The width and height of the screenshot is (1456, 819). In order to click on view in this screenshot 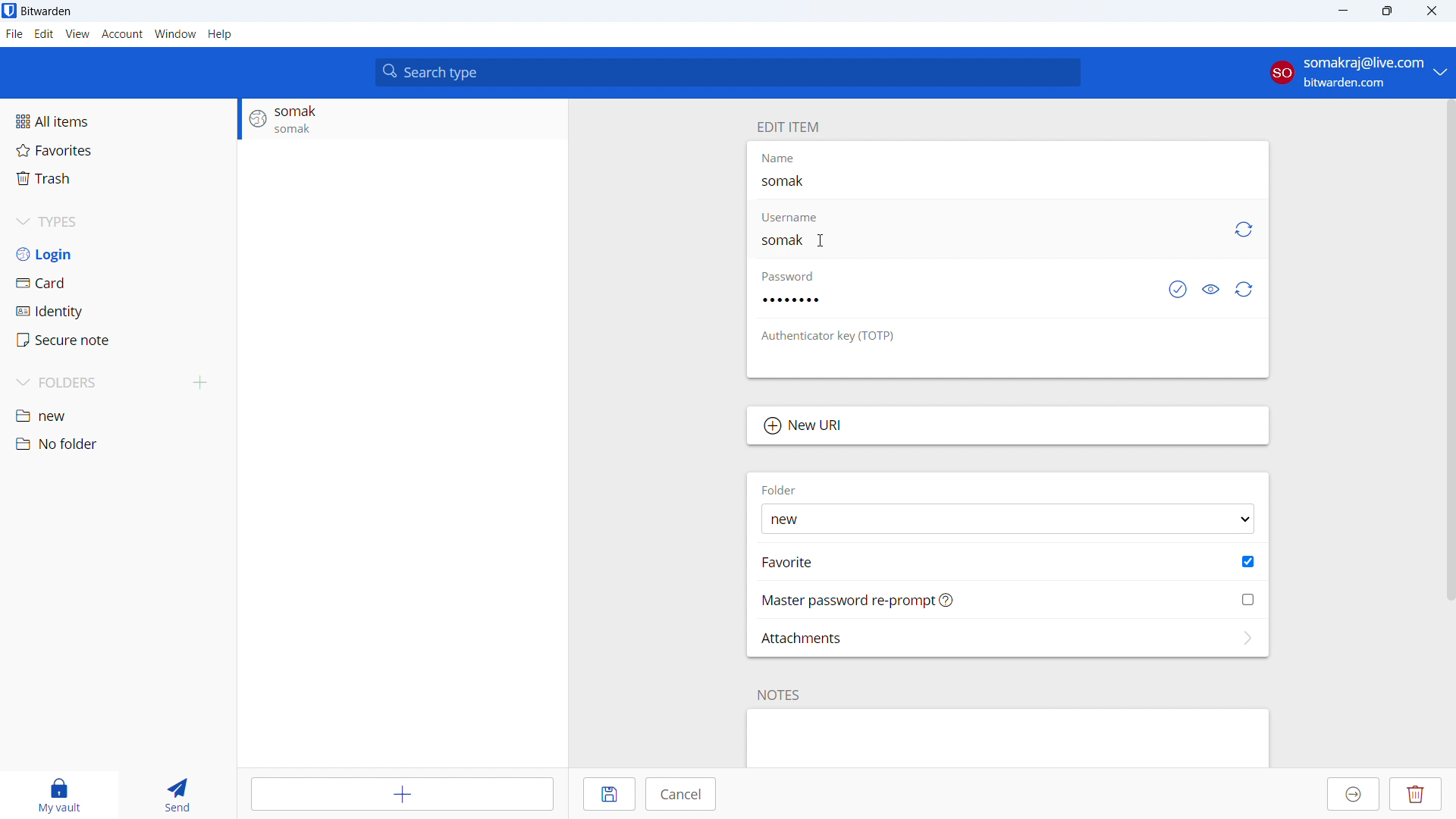, I will do `click(78, 34)`.